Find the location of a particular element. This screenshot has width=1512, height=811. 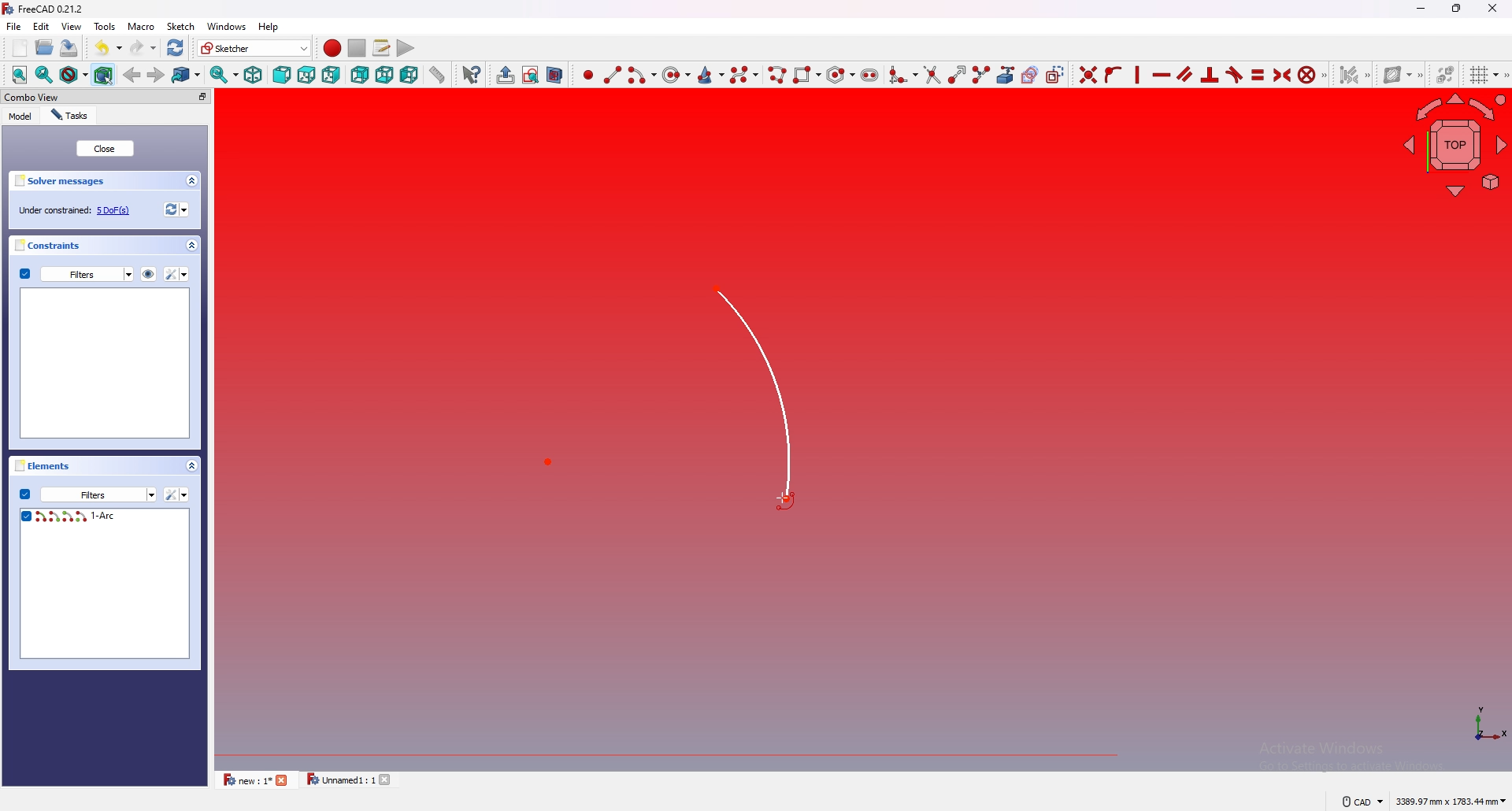

isometric is located at coordinates (253, 74).